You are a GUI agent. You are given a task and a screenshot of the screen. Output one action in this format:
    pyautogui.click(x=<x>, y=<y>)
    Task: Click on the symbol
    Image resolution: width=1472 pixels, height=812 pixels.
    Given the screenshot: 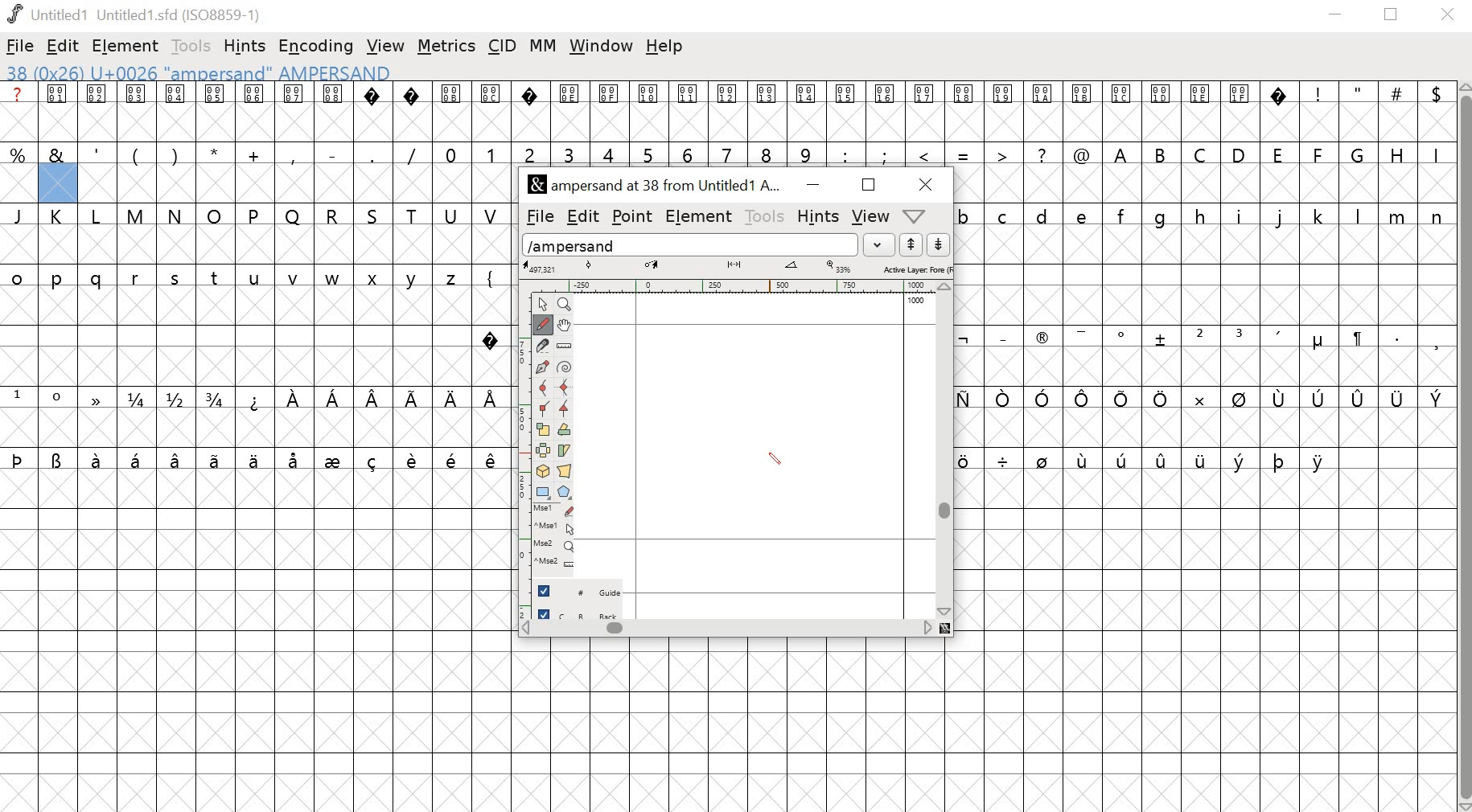 What is the action you would take?
    pyautogui.click(x=1004, y=460)
    